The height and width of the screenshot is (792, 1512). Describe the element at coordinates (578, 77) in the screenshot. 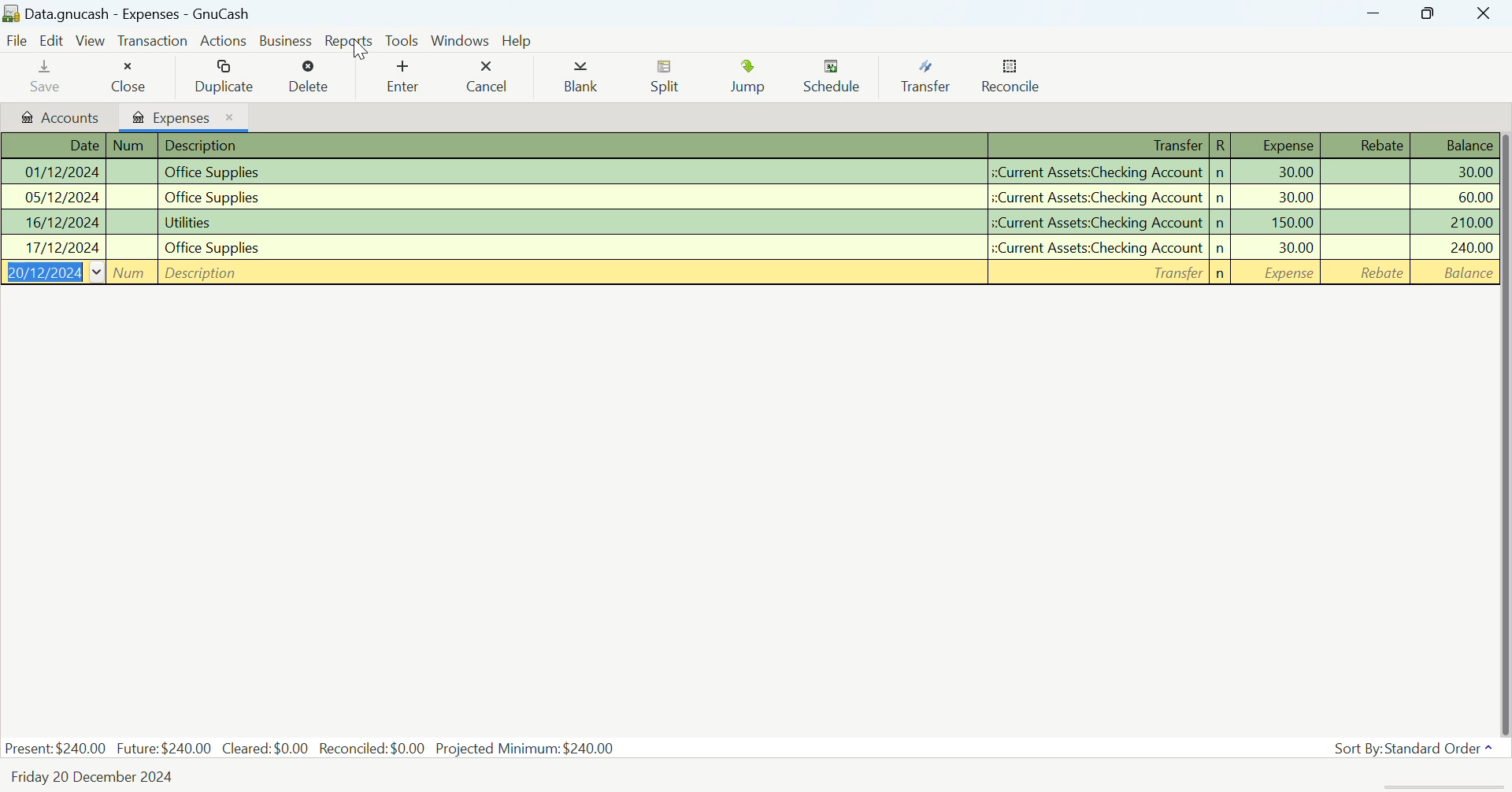

I see `Blank` at that location.